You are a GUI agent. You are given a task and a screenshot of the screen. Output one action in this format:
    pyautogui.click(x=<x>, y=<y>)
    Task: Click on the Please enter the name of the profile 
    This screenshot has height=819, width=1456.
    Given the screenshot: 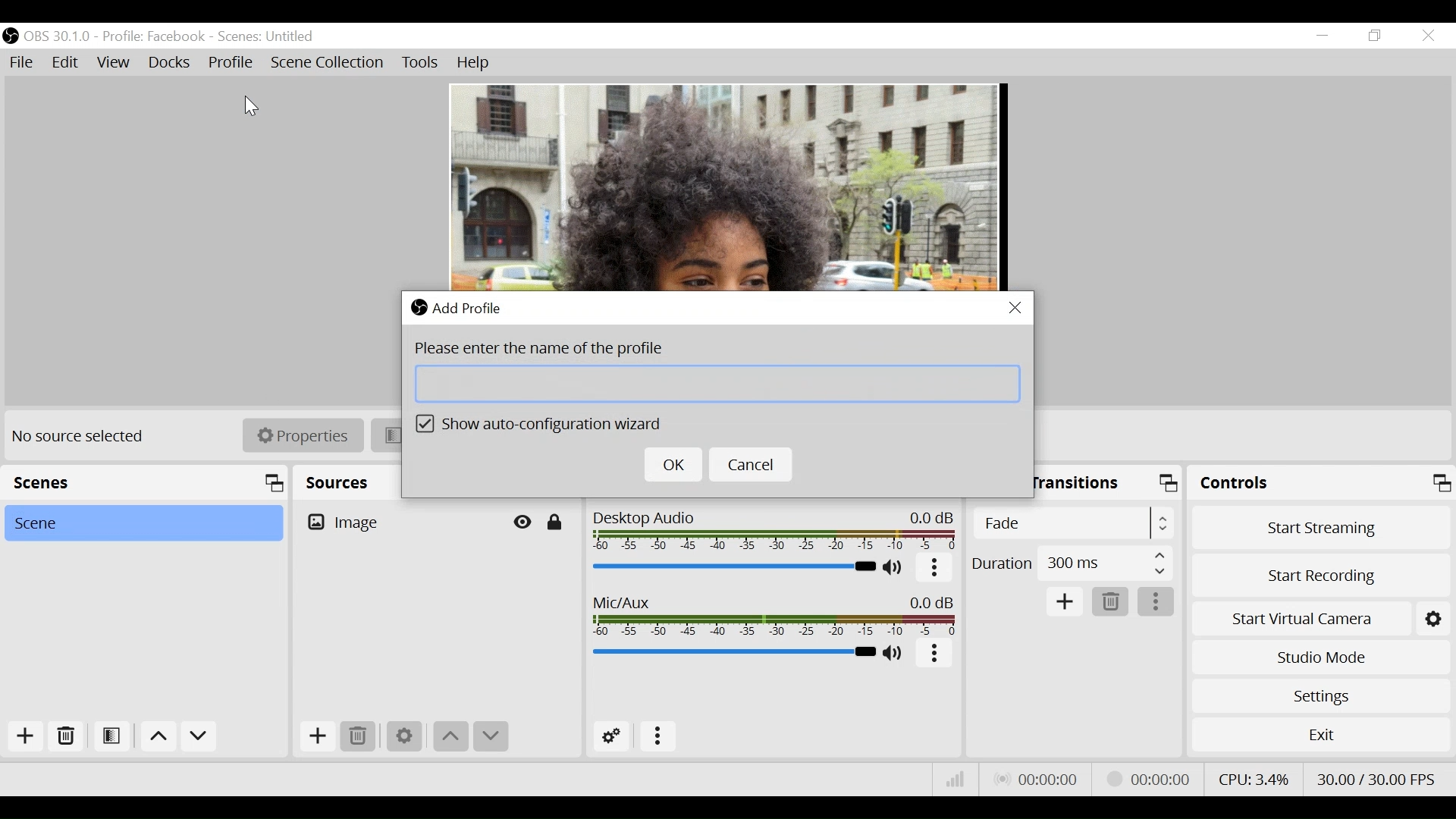 What is the action you would take?
    pyautogui.click(x=548, y=350)
    